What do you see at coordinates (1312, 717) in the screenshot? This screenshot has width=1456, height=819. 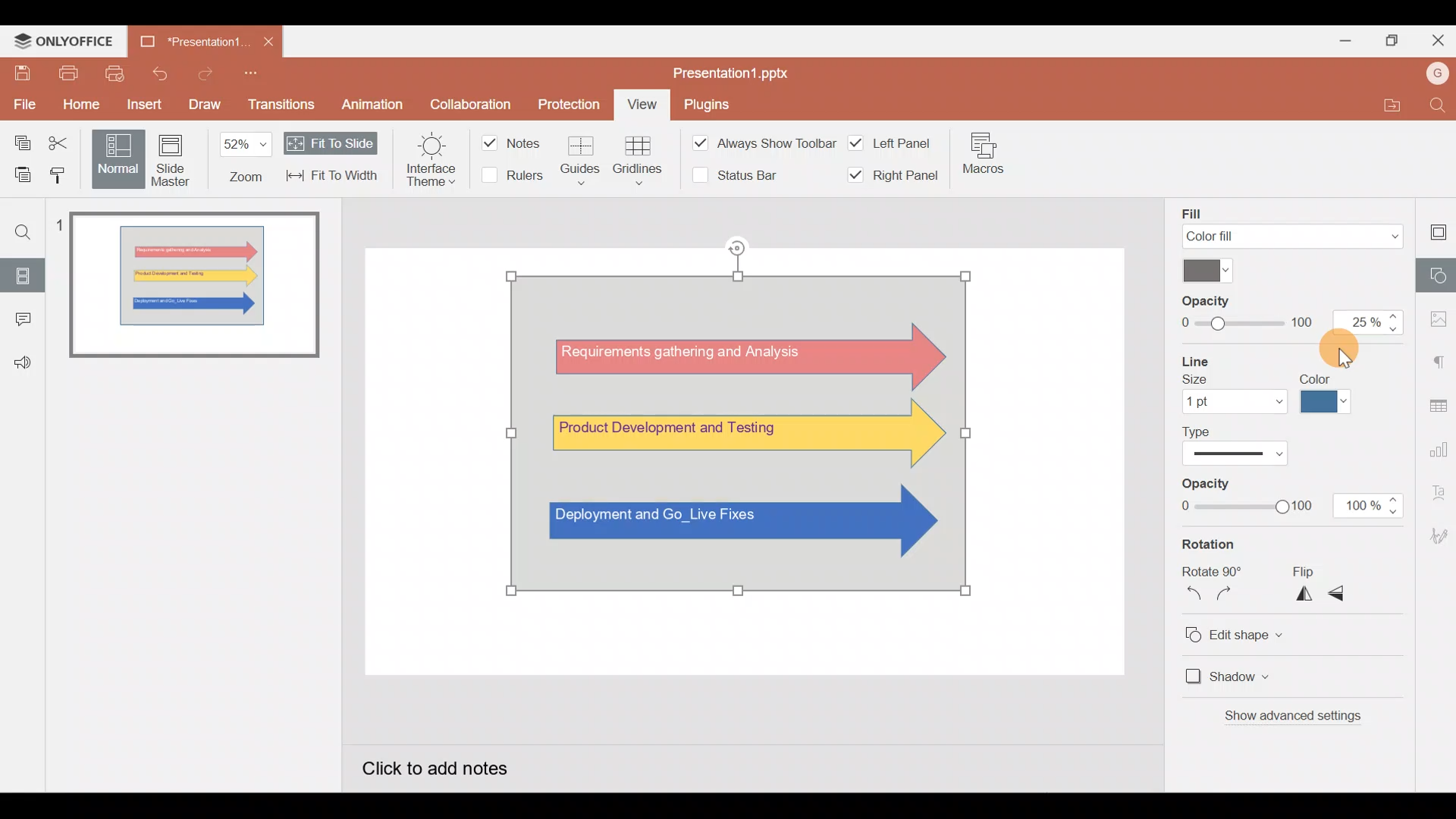 I see `Show advanced settings` at bounding box center [1312, 717].